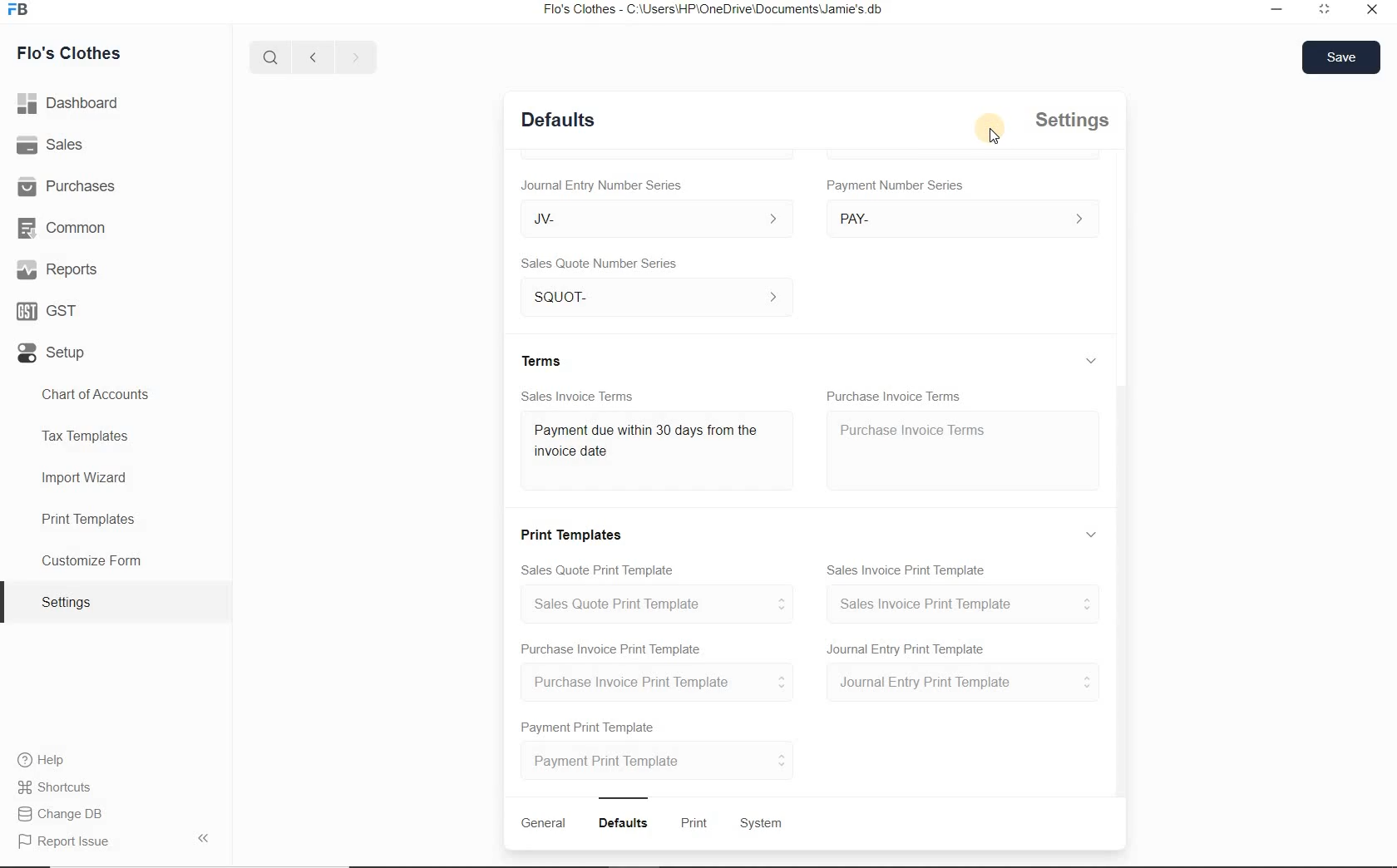 This screenshot has width=1397, height=868. Describe the element at coordinates (312, 56) in the screenshot. I see `Back` at that location.